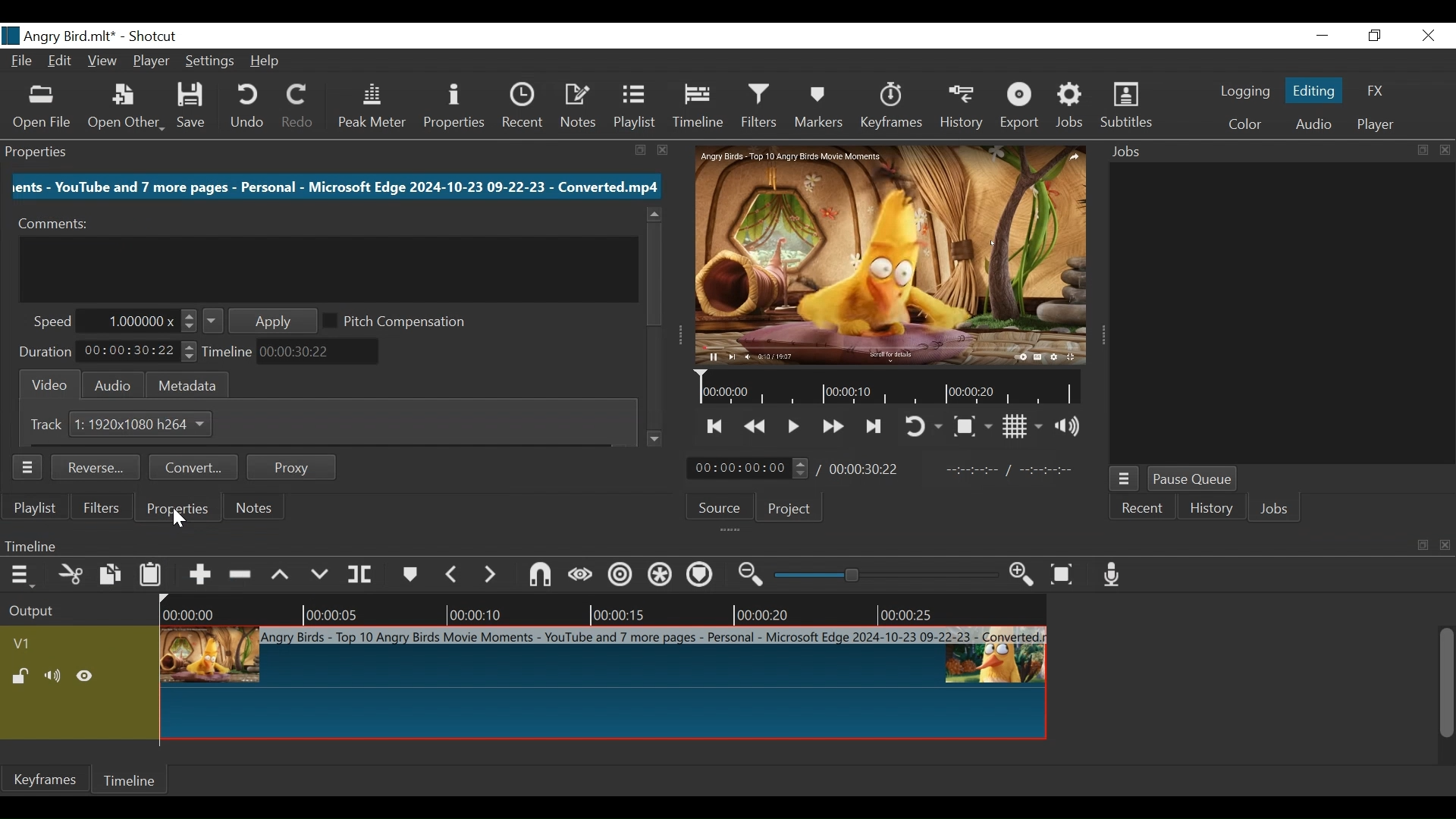 This screenshot has width=1456, height=819. Describe the element at coordinates (139, 320) in the screenshot. I see `Adjust Speed` at that location.